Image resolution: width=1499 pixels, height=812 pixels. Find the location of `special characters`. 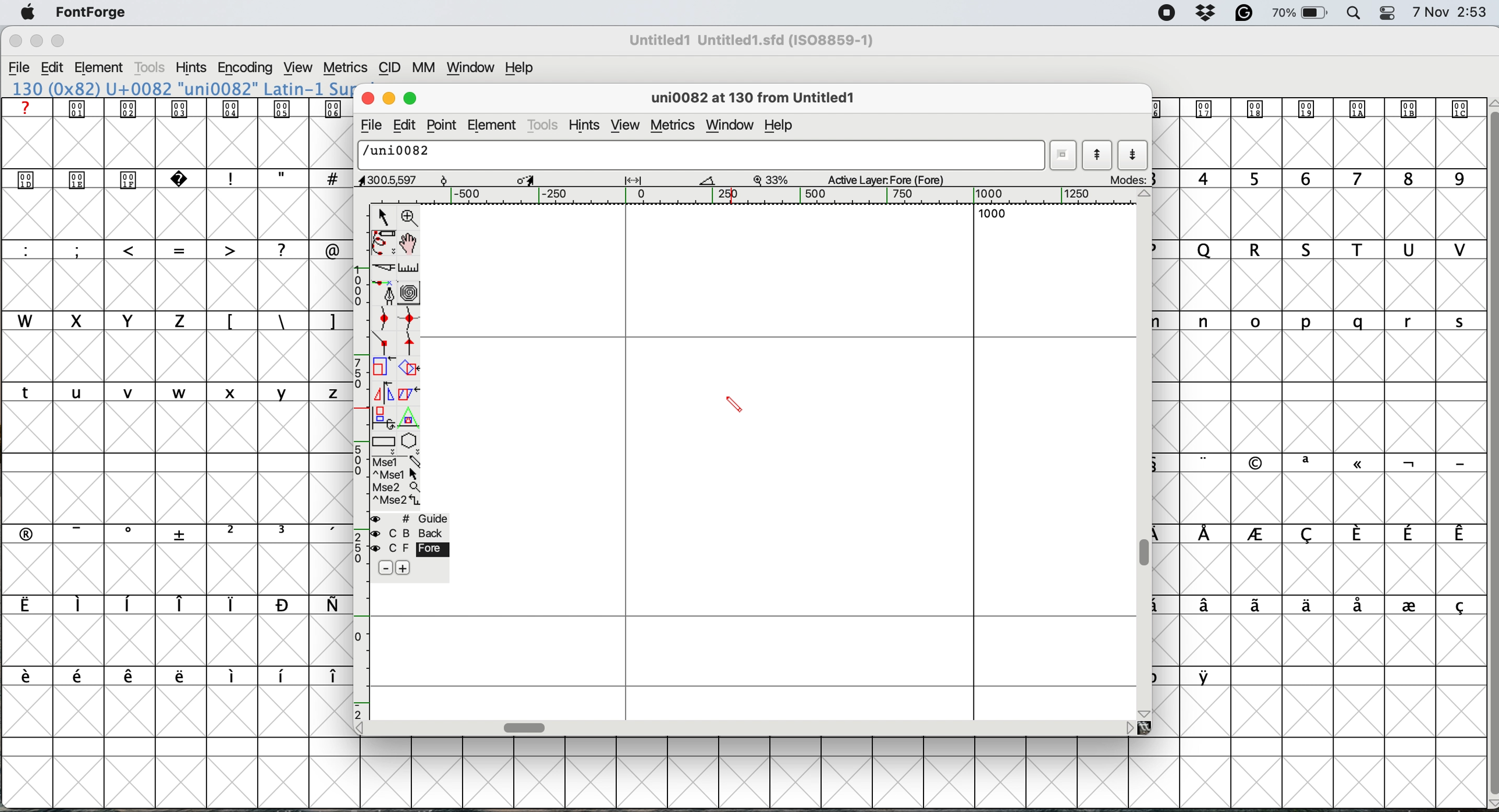

special characters is located at coordinates (1319, 535).